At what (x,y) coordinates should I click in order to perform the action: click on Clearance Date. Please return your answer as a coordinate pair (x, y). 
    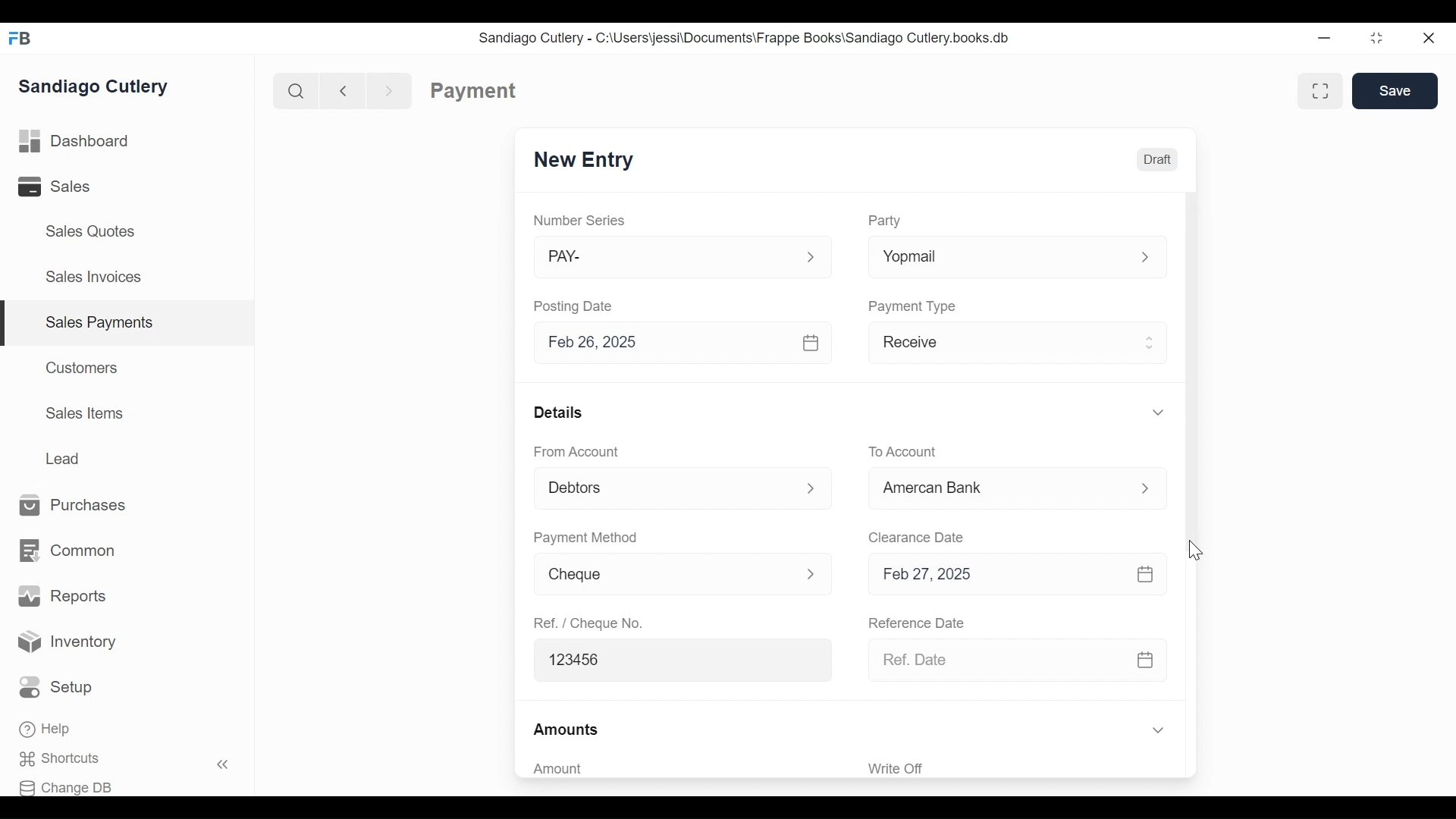
    Looking at the image, I should click on (917, 538).